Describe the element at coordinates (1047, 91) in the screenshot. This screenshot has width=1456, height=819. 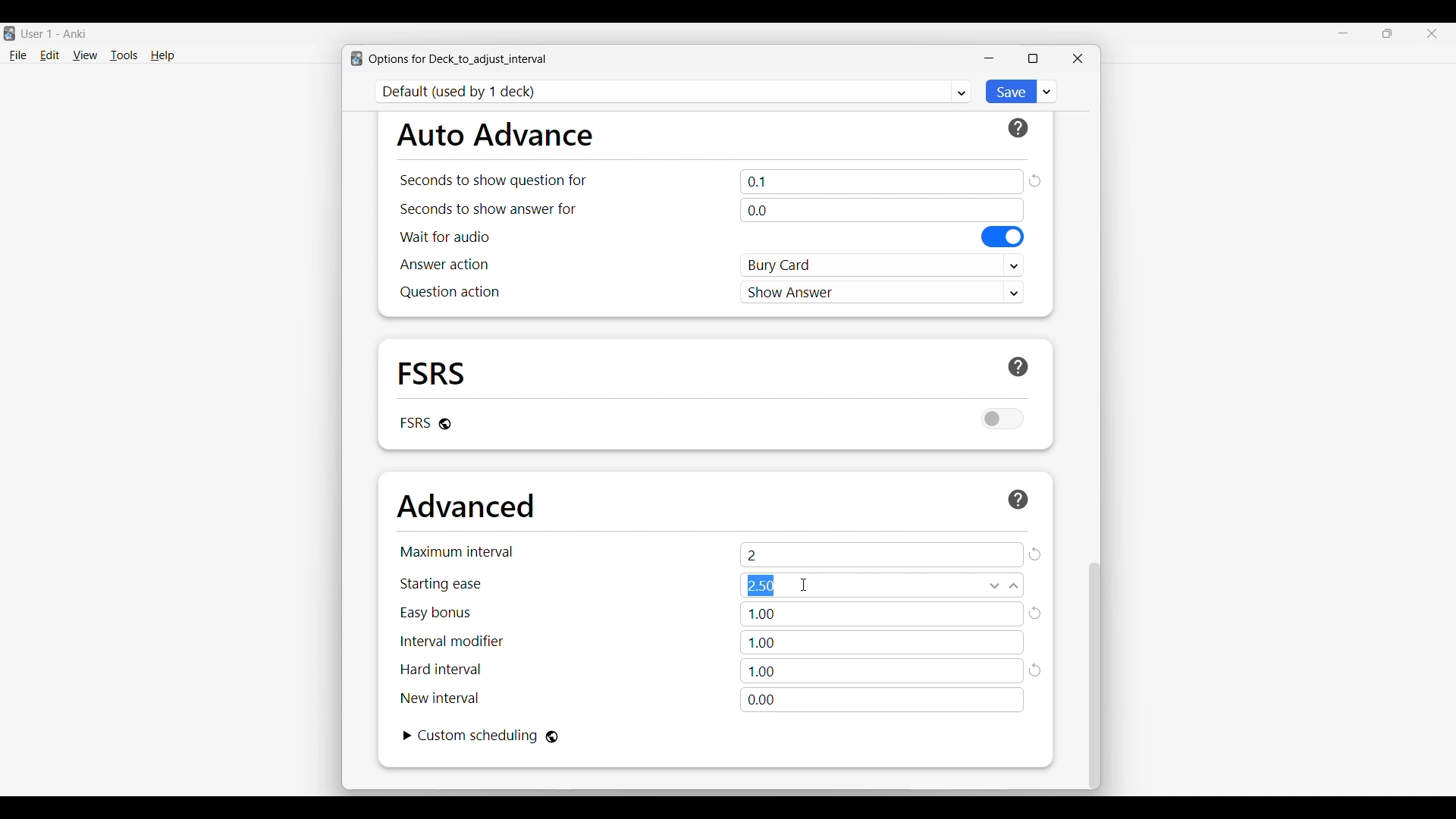
I see `Save and other options` at that location.